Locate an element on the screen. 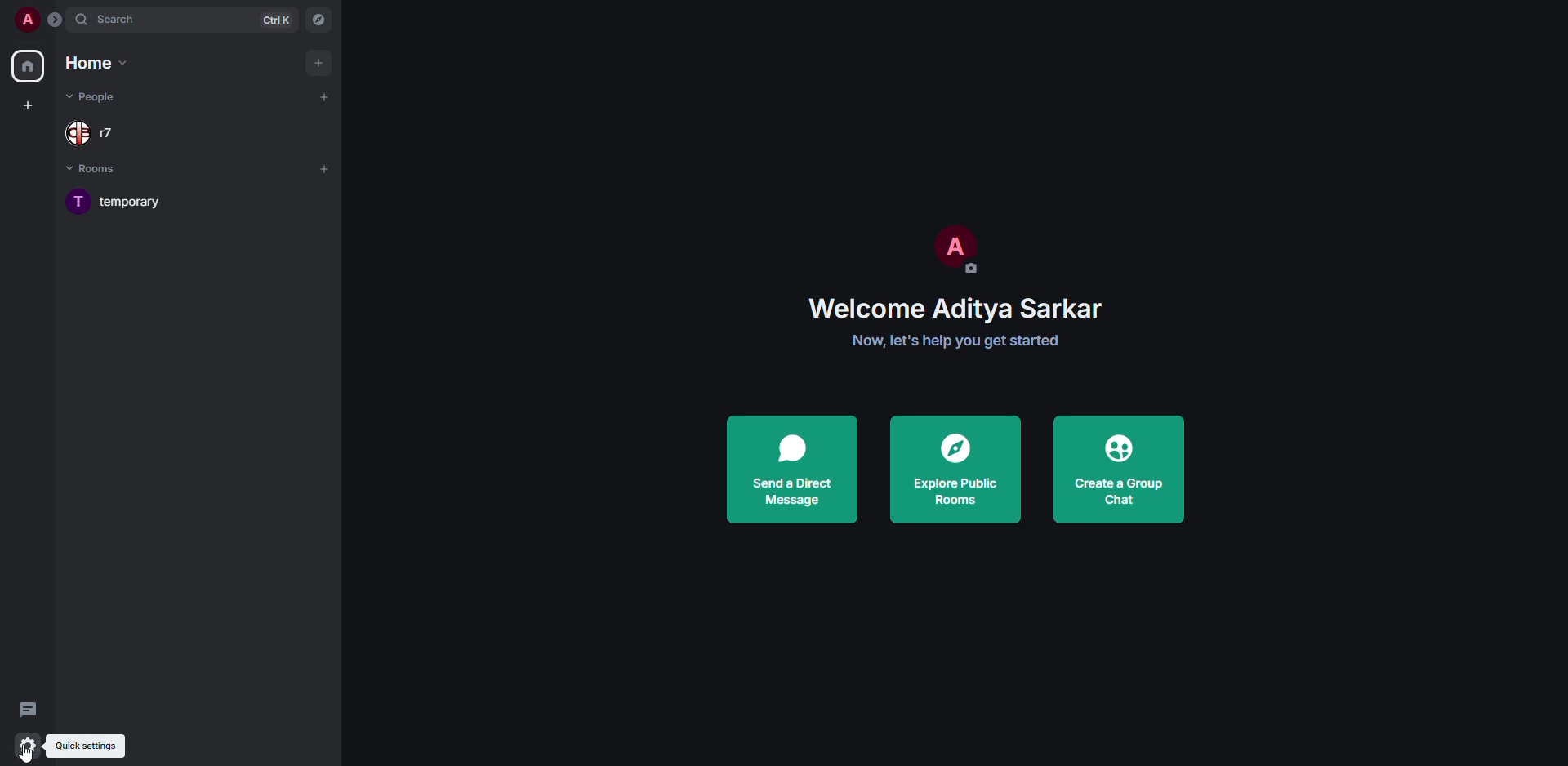 The width and height of the screenshot is (1568, 766). rooms is located at coordinates (103, 171).